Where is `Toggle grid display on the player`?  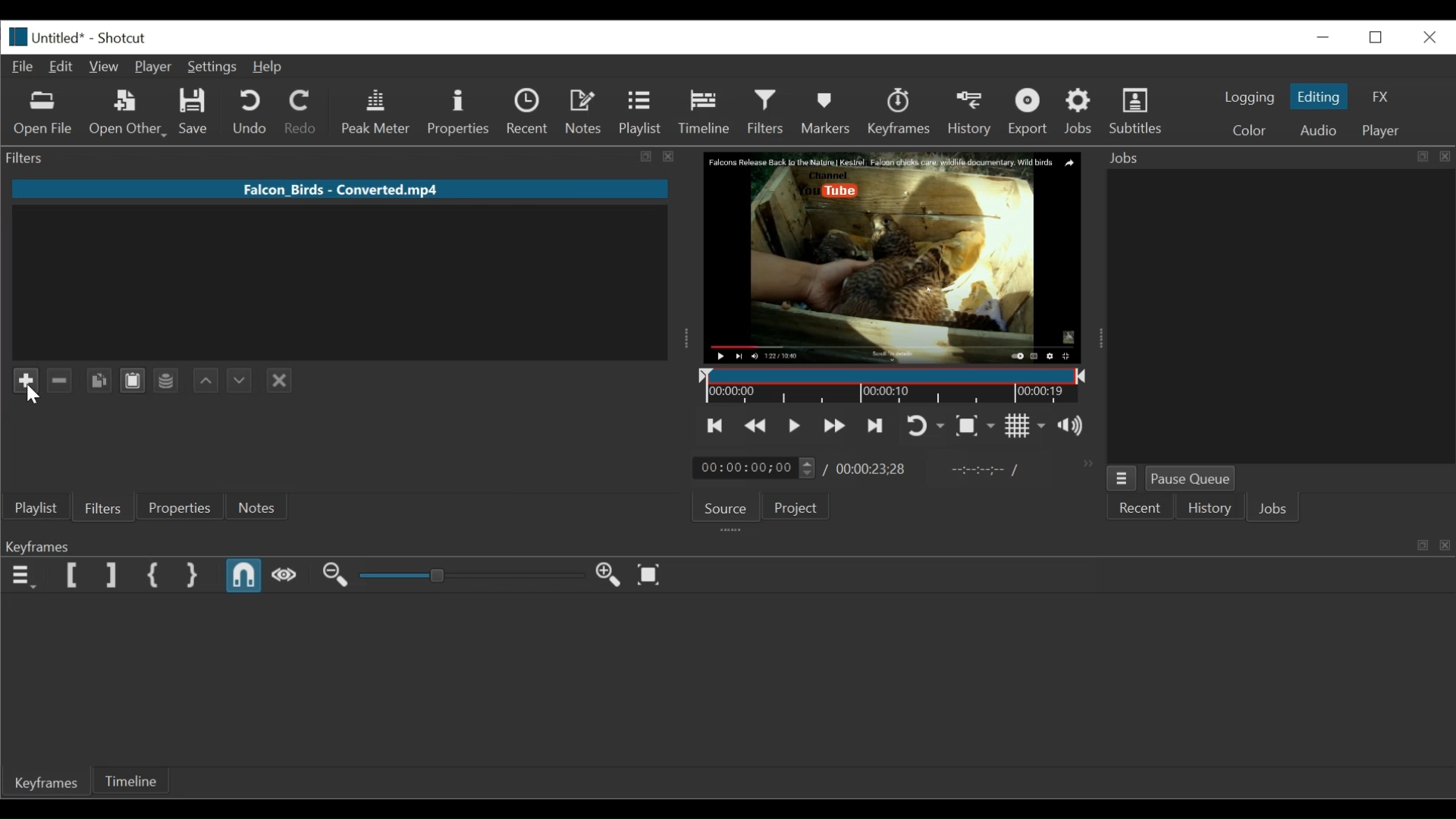 Toggle grid display on the player is located at coordinates (1026, 426).